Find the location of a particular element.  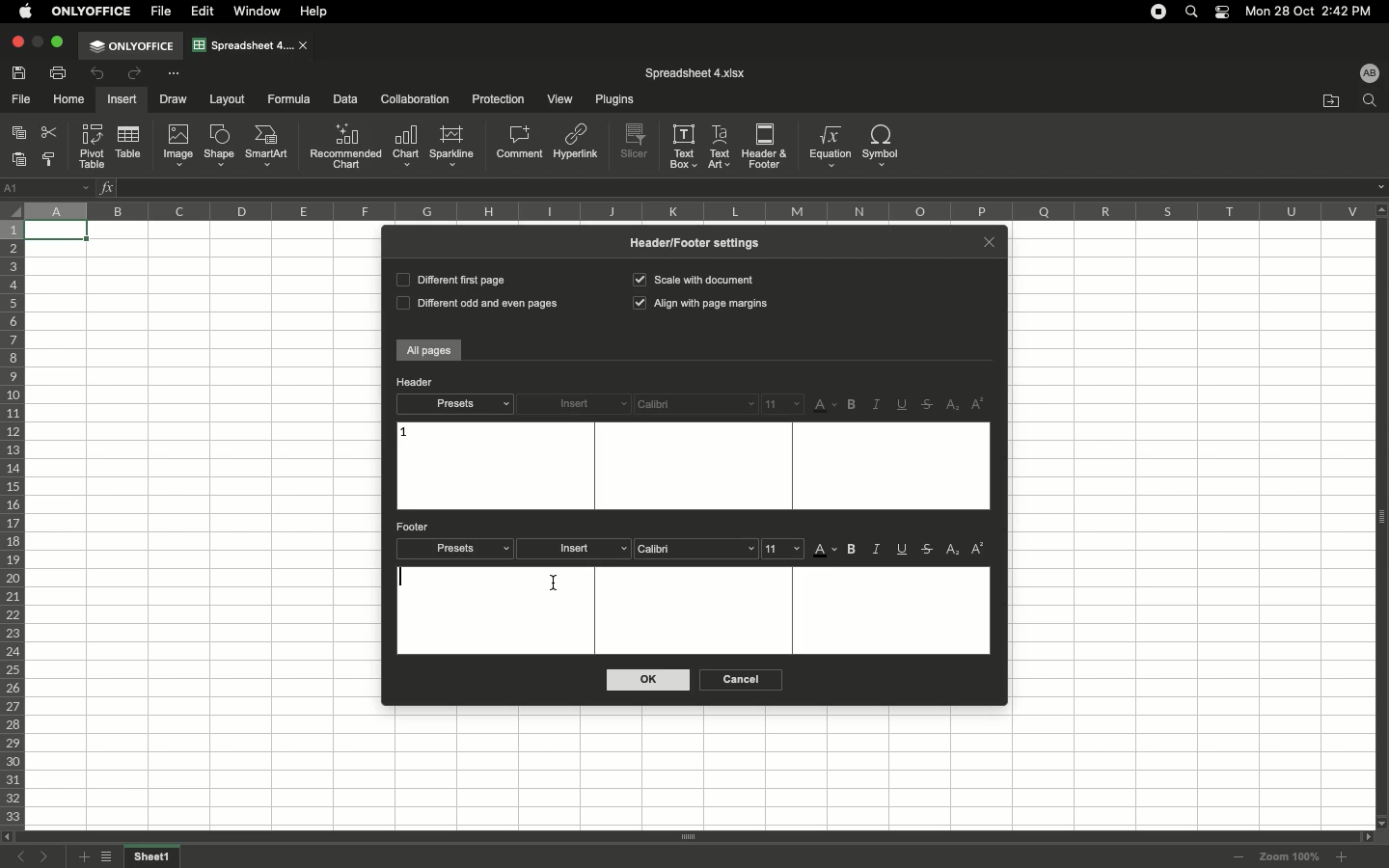

Font style is located at coordinates (698, 548).